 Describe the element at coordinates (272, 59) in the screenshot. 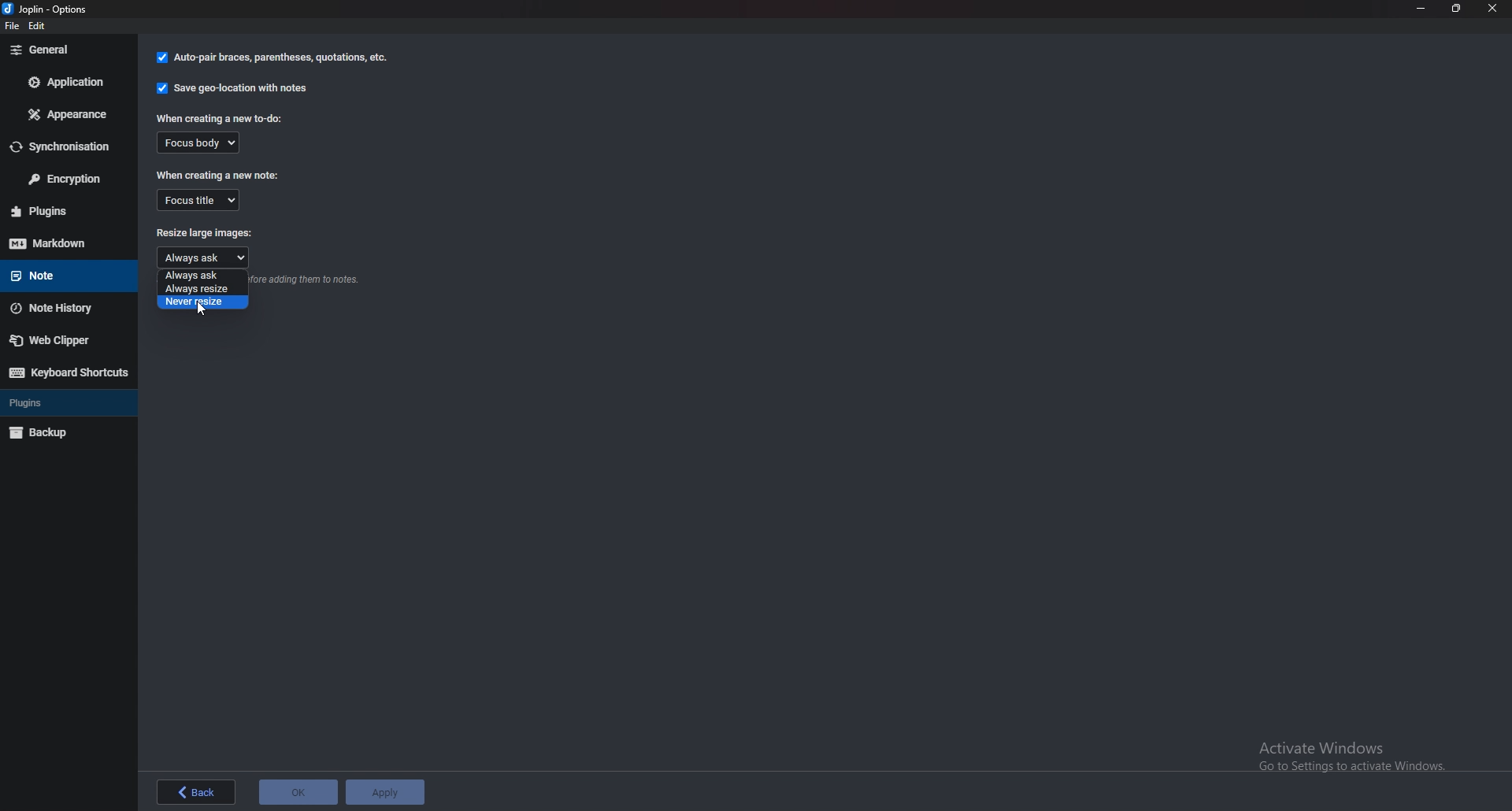

I see `Autopair braces parenthesis quotation, etc.` at that location.